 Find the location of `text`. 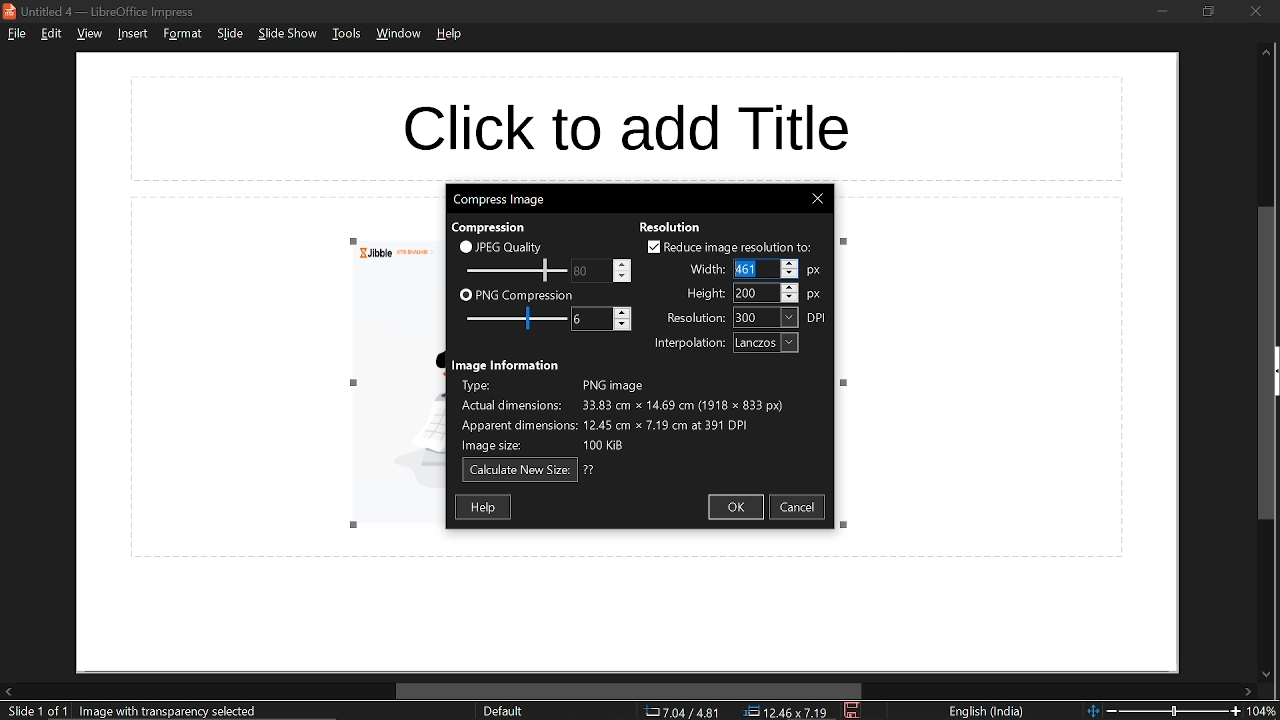

text is located at coordinates (494, 226).